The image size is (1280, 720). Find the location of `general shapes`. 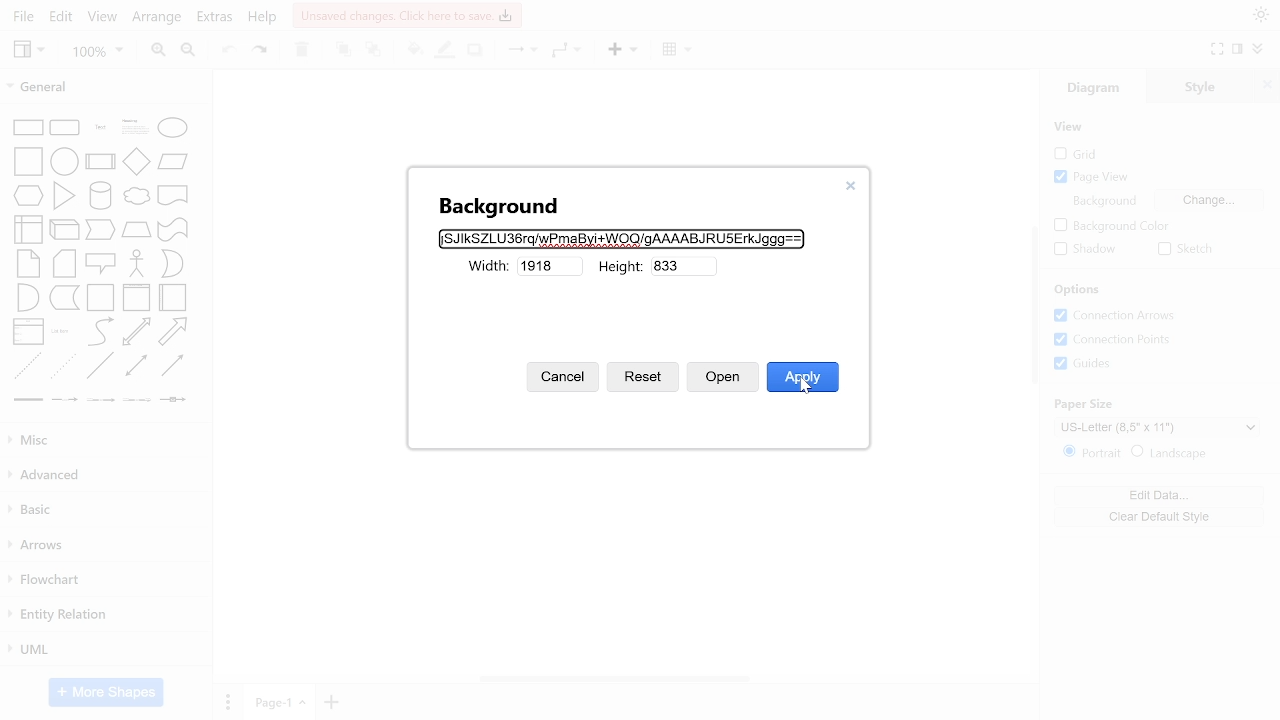

general shapes is located at coordinates (64, 194).